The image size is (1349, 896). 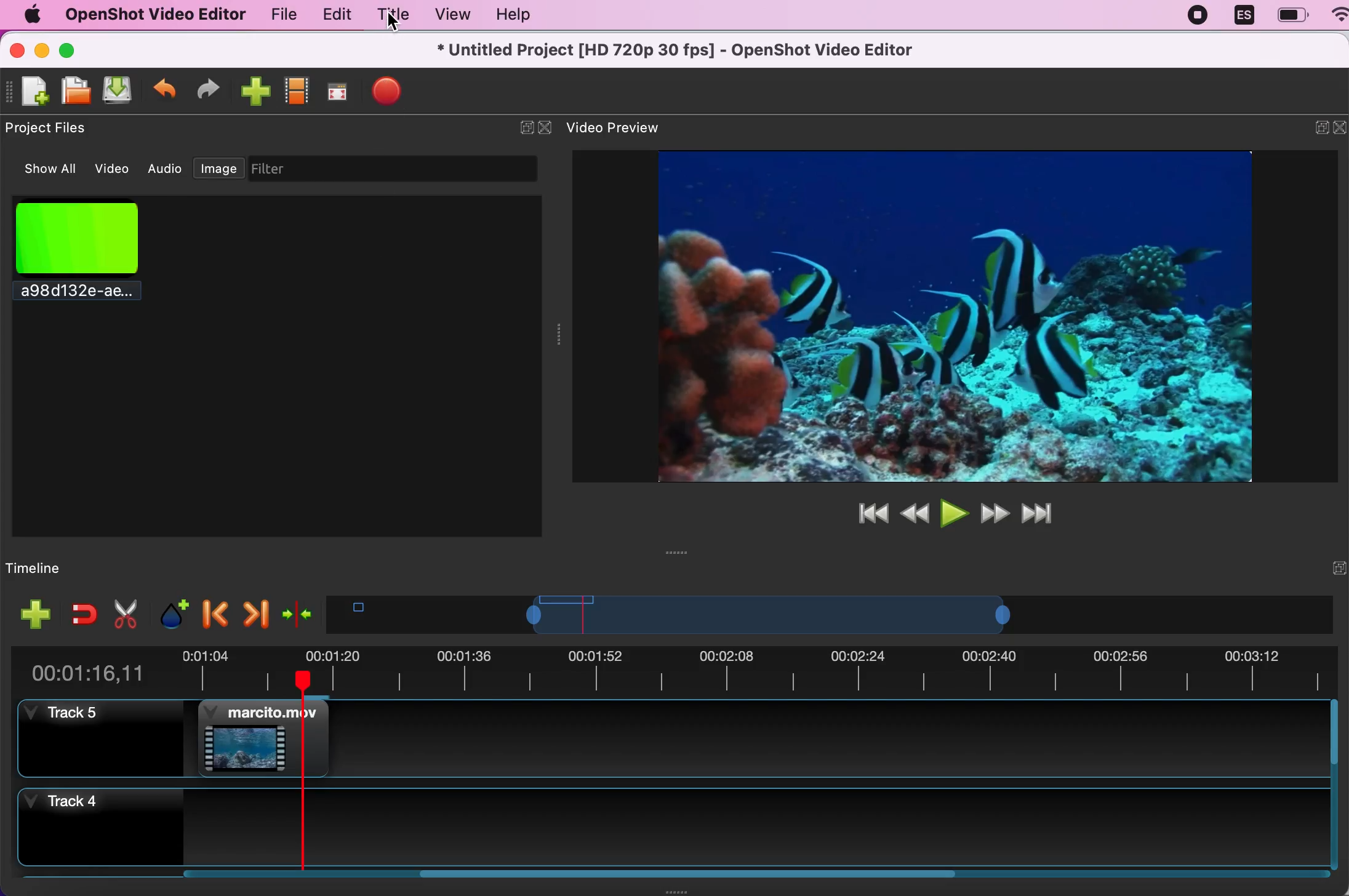 I want to click on import file, so click(x=255, y=90).